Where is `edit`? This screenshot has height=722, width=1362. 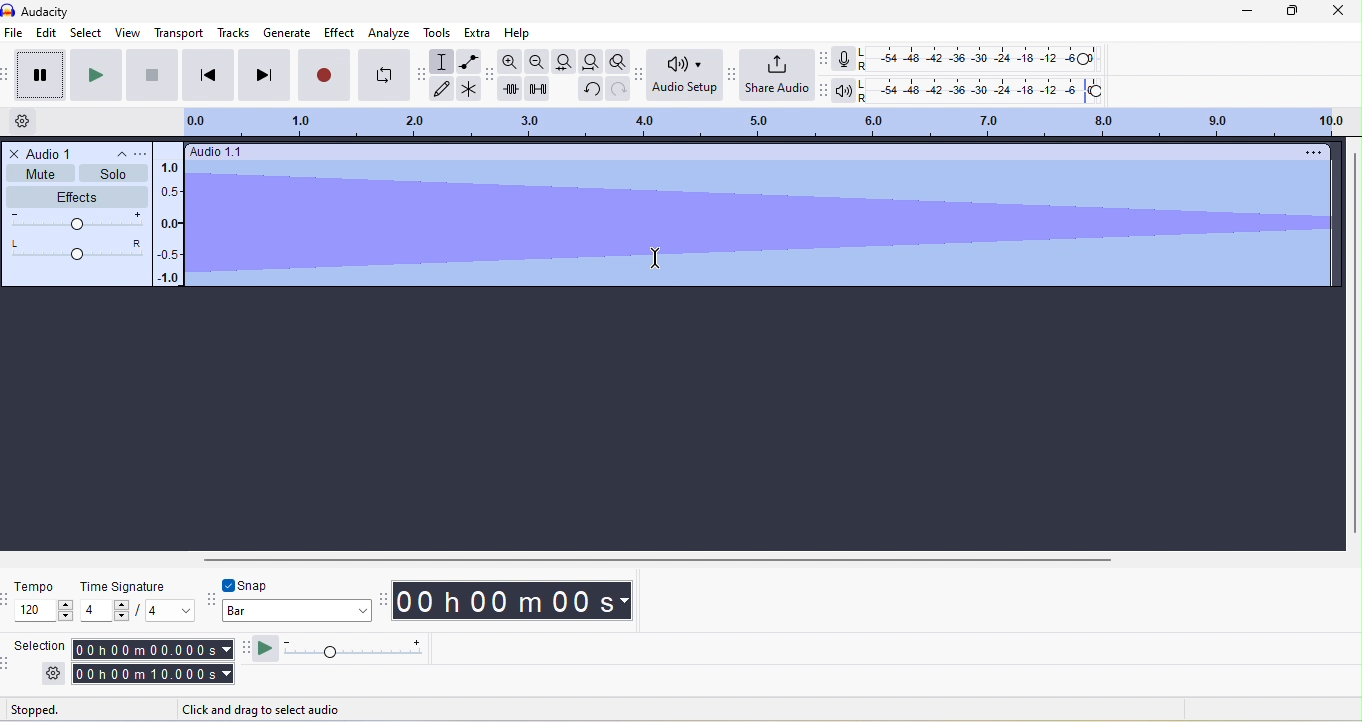 edit is located at coordinates (46, 34).